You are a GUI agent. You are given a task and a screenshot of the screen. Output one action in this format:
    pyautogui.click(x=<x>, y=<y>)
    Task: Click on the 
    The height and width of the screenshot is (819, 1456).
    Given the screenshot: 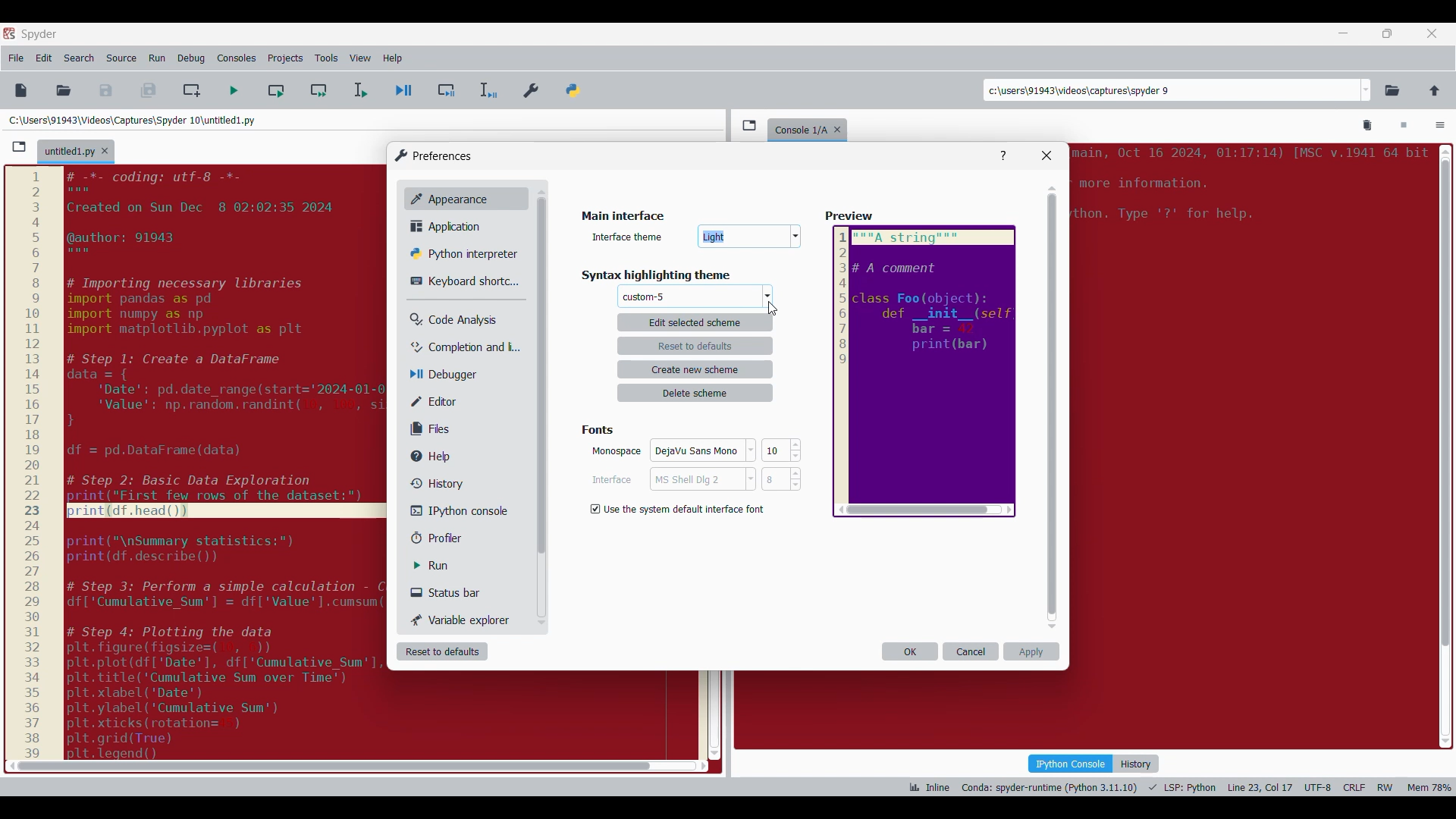 What is the action you would take?
    pyautogui.click(x=641, y=297)
    